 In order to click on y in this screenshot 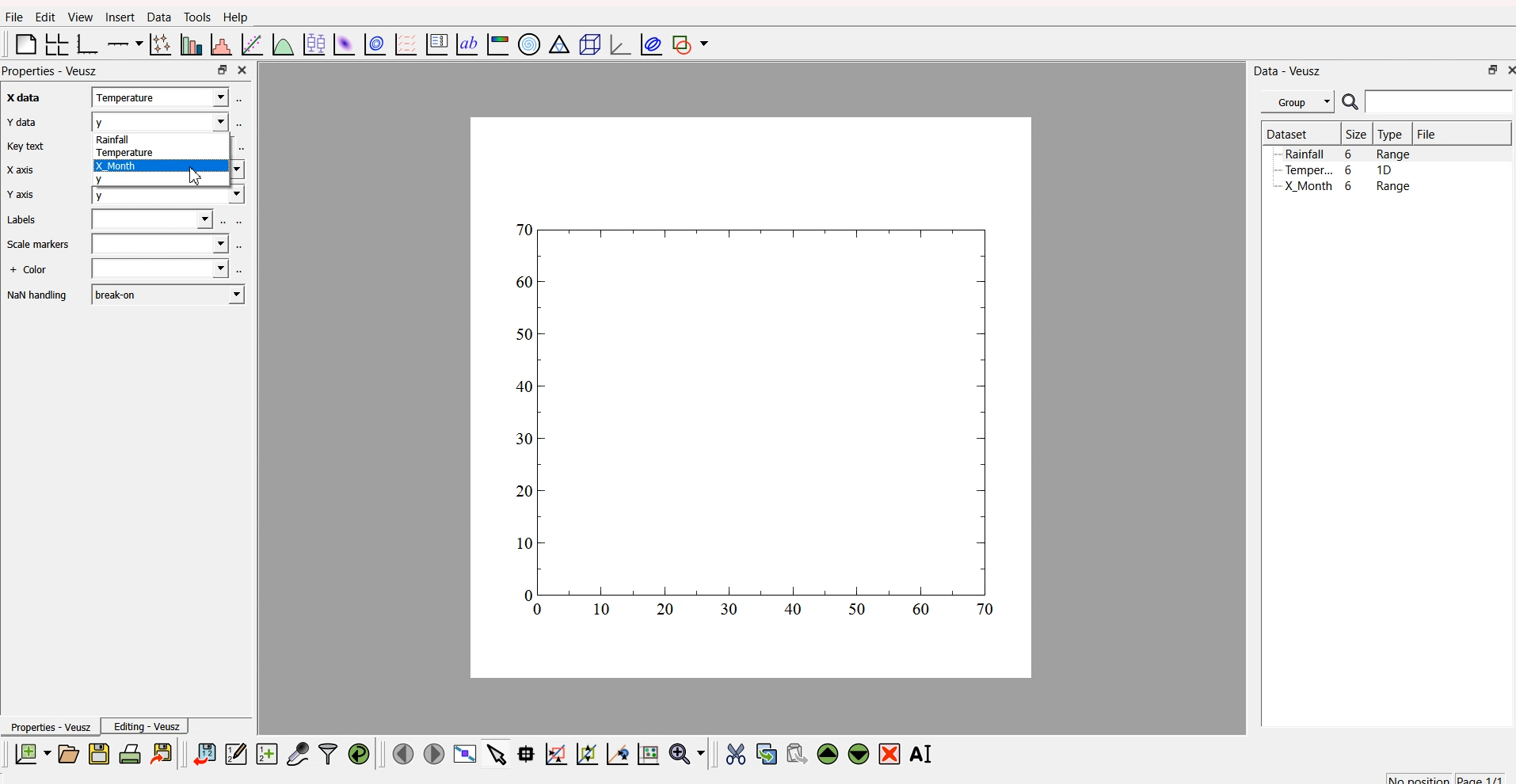, I will do `click(166, 120)`.